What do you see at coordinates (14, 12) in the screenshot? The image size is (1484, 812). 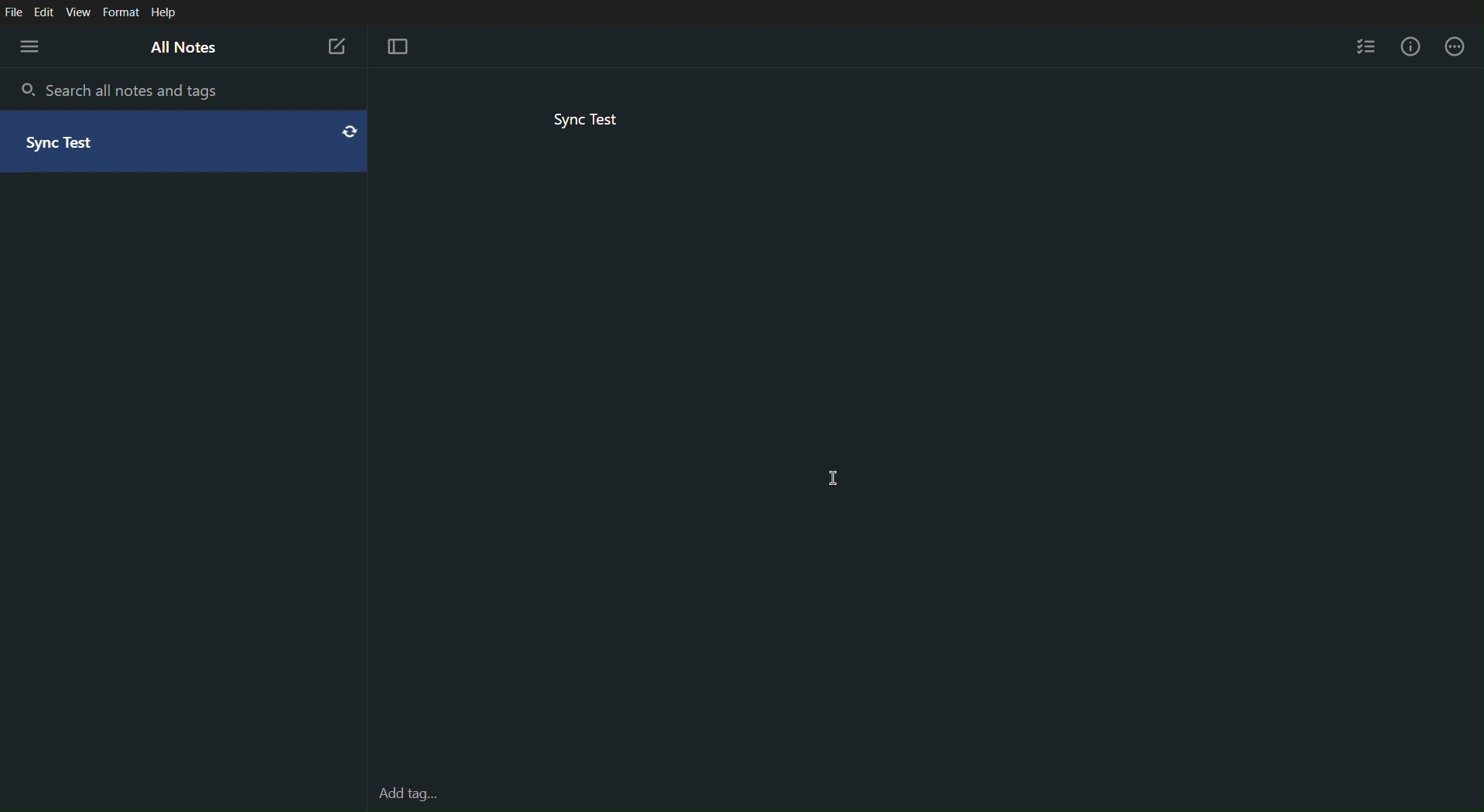 I see `File` at bounding box center [14, 12].